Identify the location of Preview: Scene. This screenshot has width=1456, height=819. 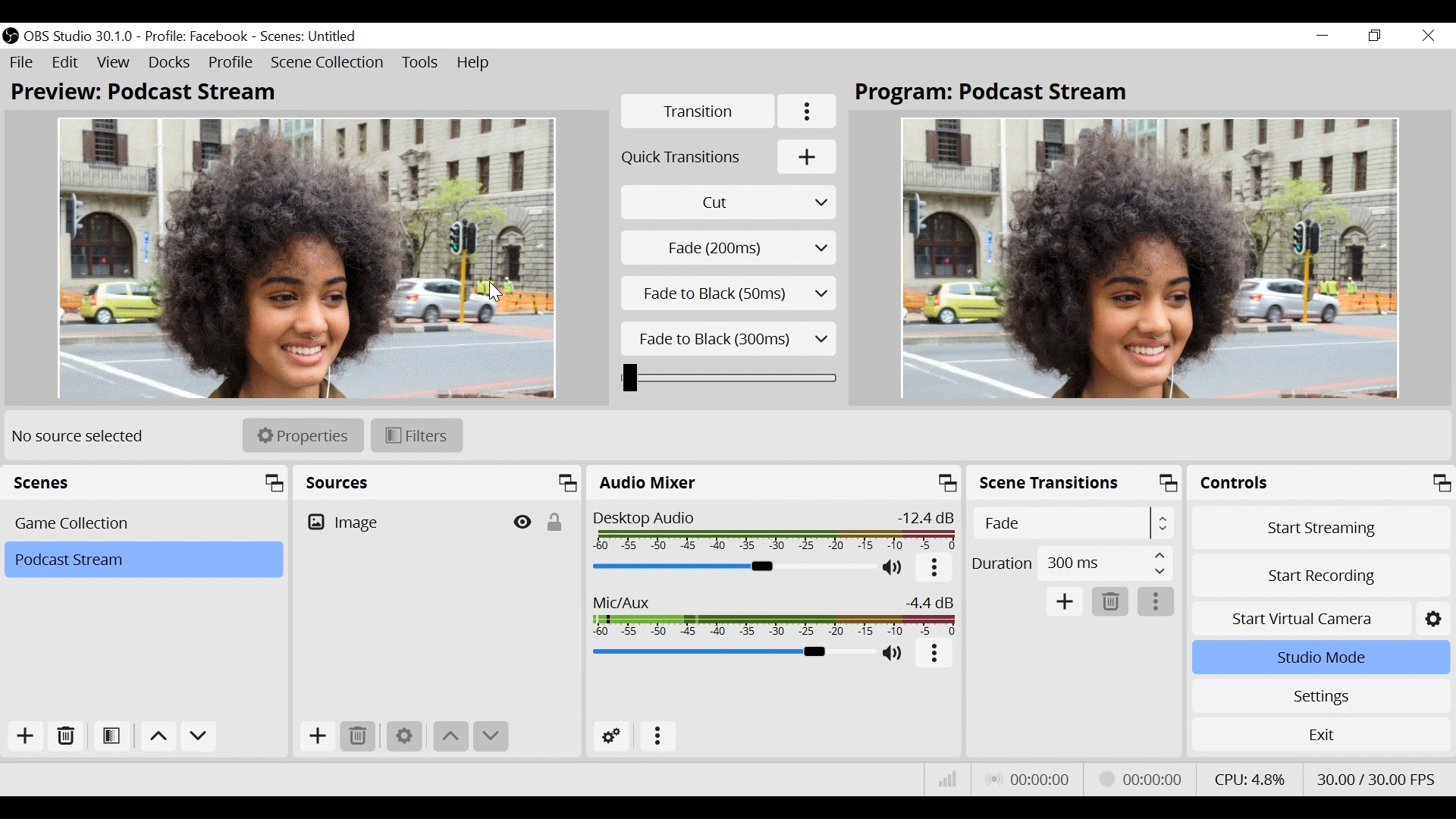
(152, 93).